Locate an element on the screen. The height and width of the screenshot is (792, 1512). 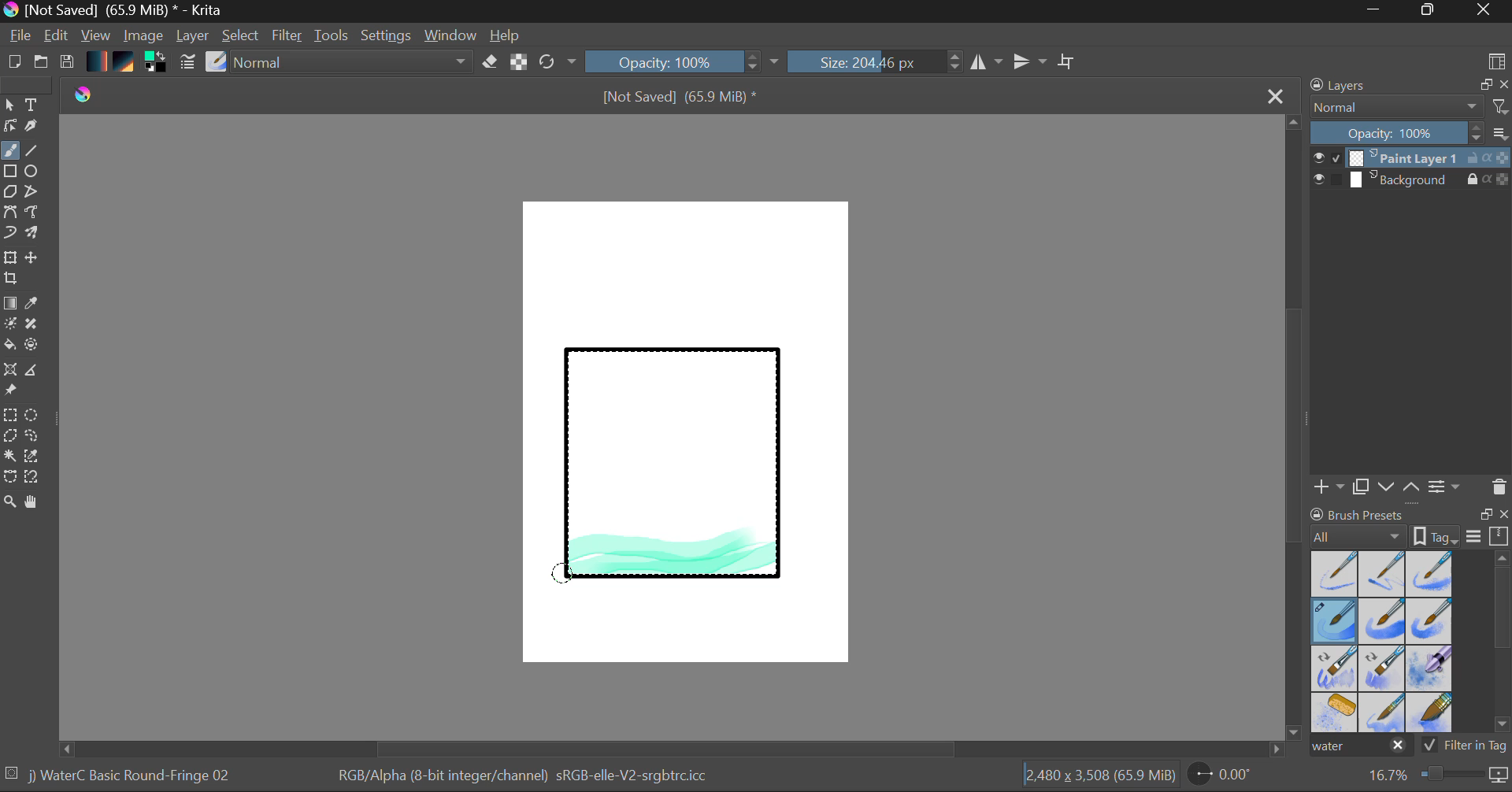
Delete Layer is located at coordinates (1499, 487).